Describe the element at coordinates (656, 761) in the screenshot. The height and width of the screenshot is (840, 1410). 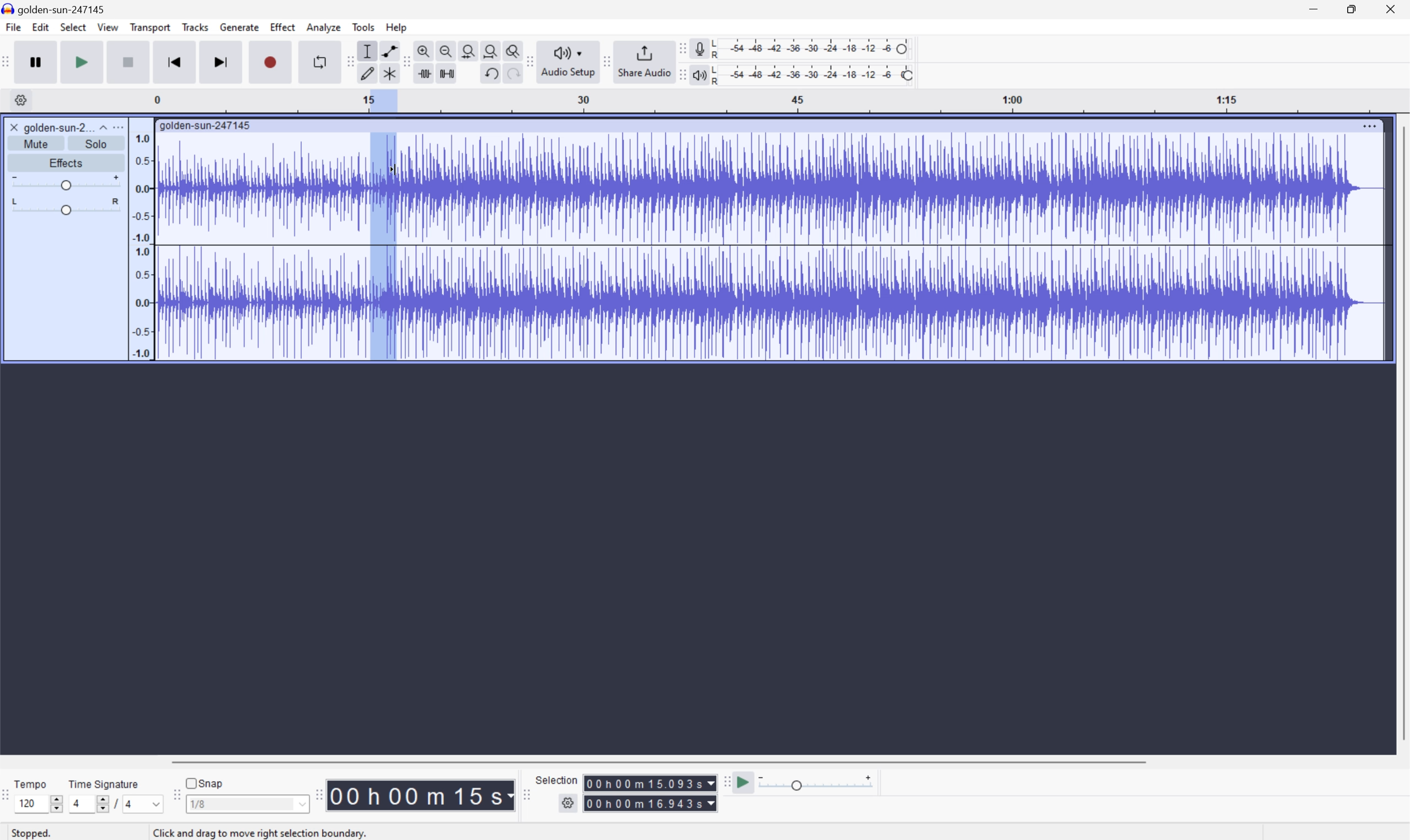
I see `Scroll bar` at that location.